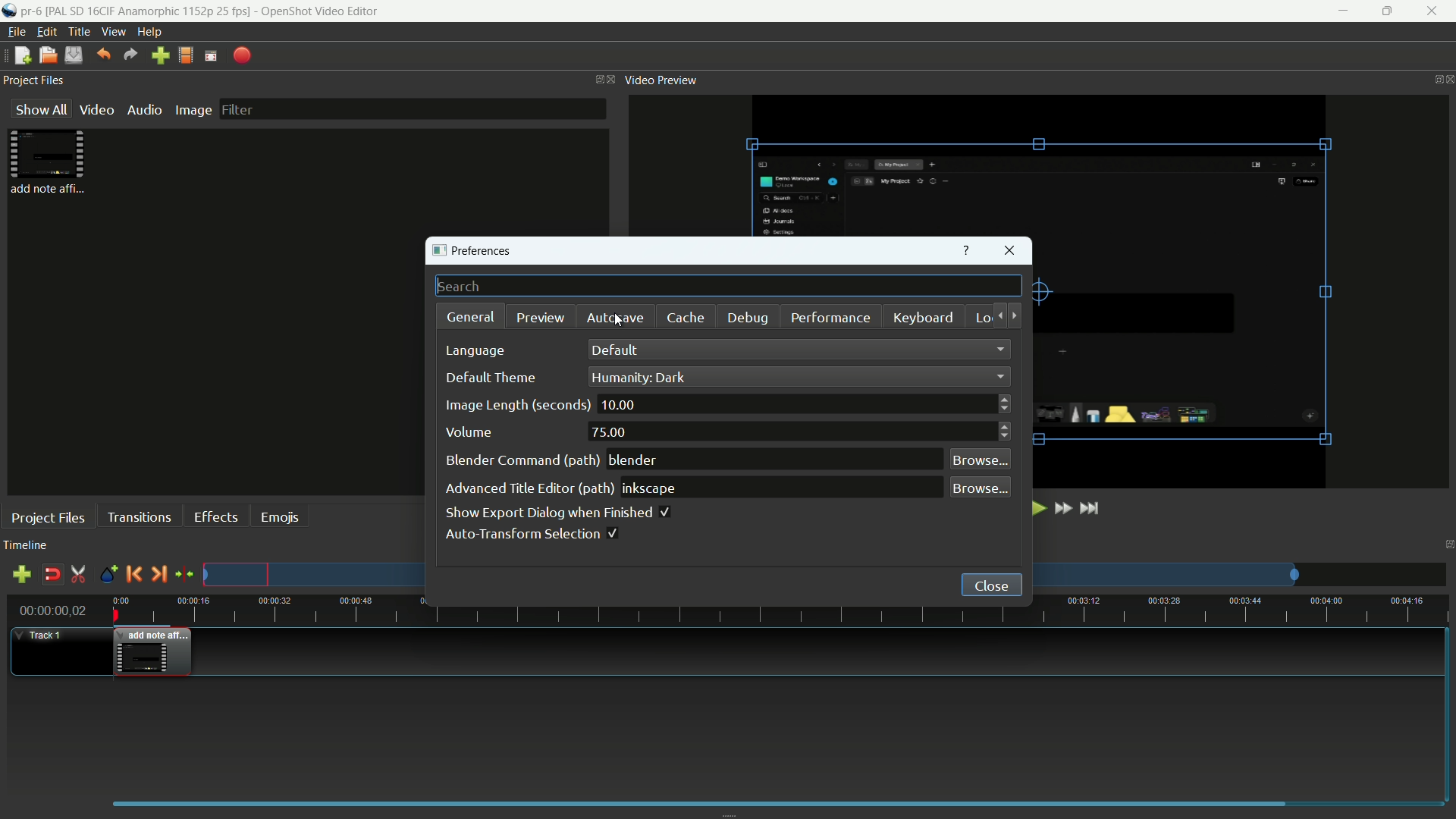  Describe the element at coordinates (131, 55) in the screenshot. I see `redo` at that location.